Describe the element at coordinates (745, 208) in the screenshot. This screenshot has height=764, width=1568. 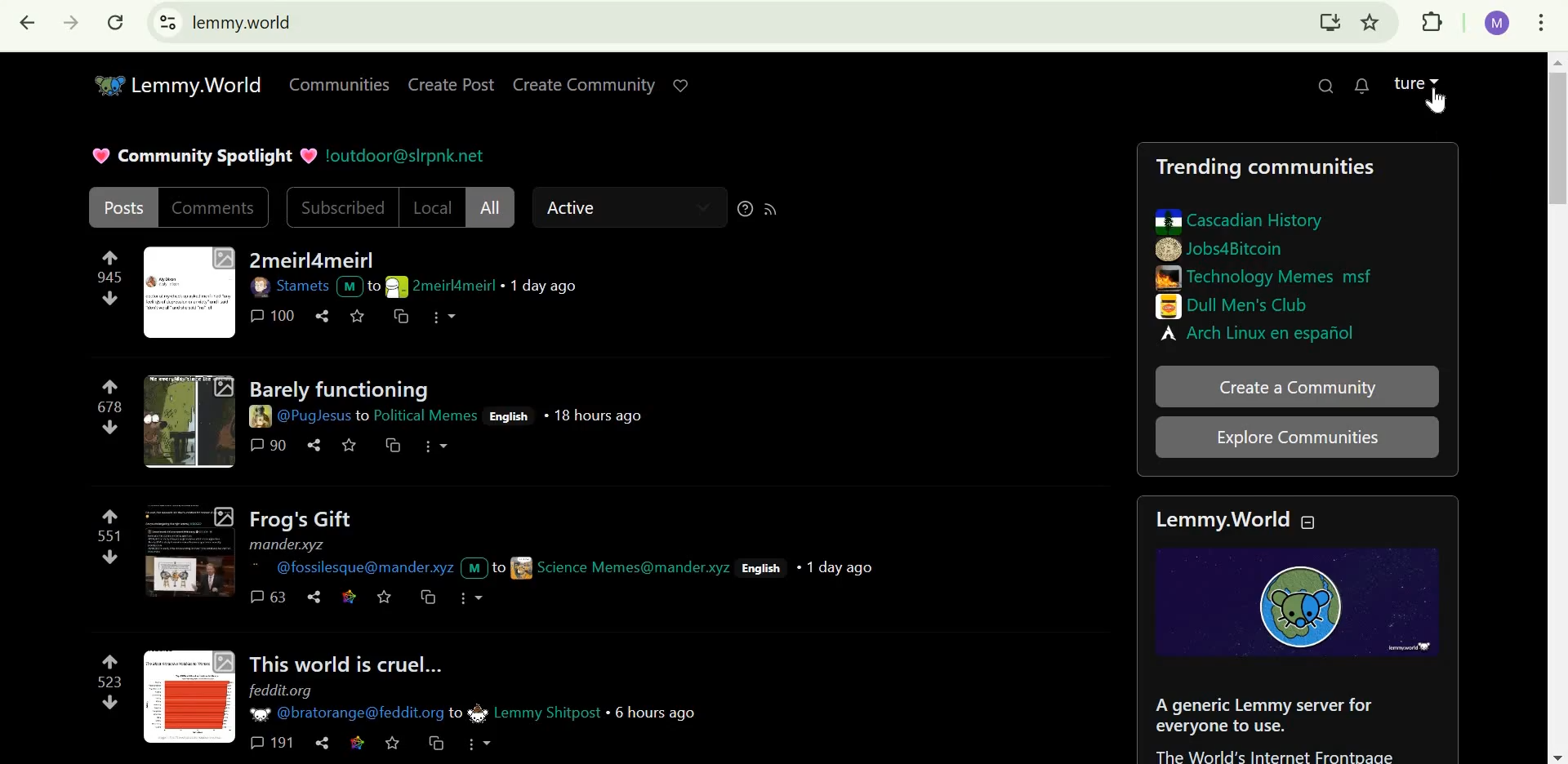
I see `sorting help` at that location.